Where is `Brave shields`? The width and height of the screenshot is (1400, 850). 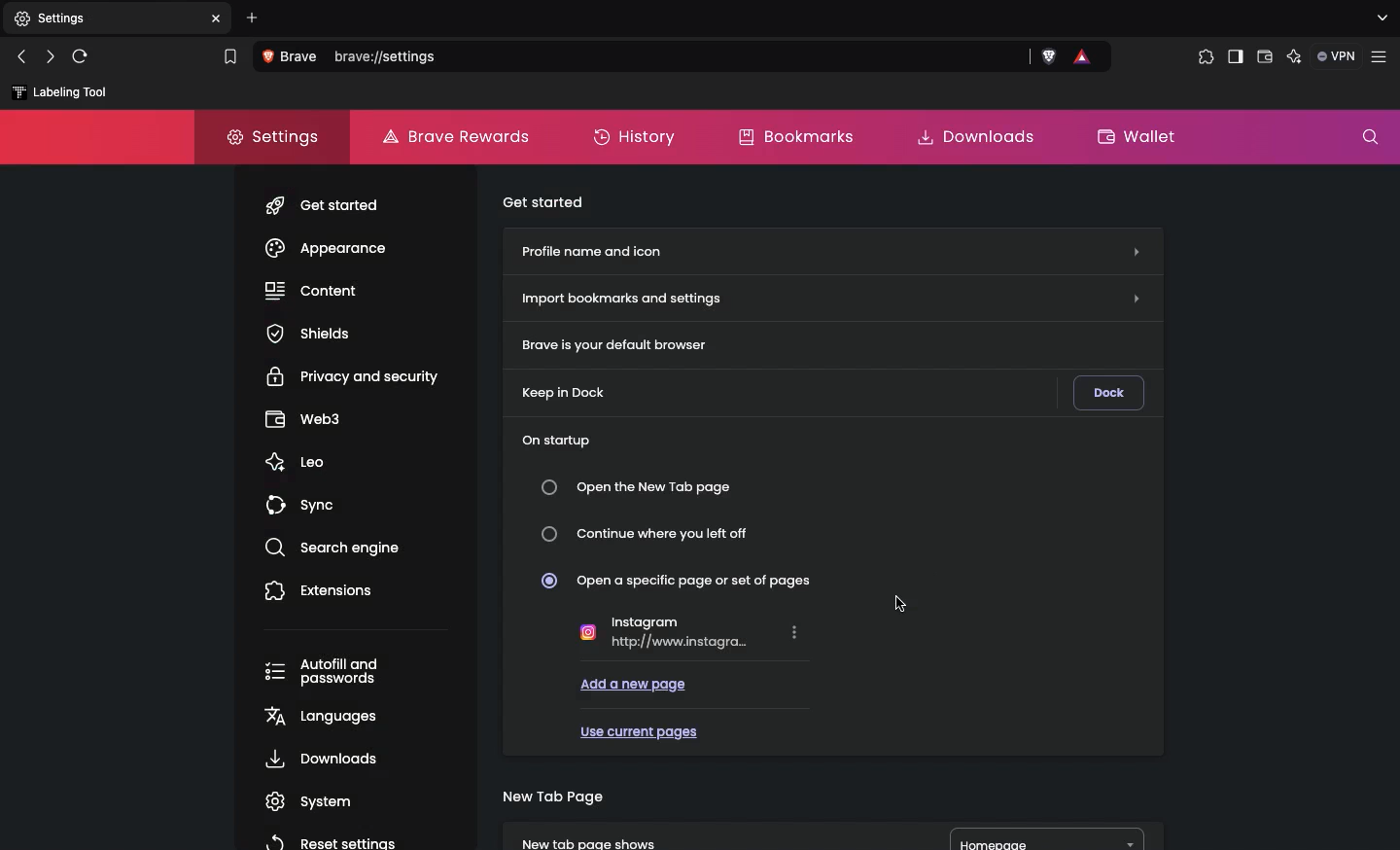
Brave shields is located at coordinates (1050, 57).